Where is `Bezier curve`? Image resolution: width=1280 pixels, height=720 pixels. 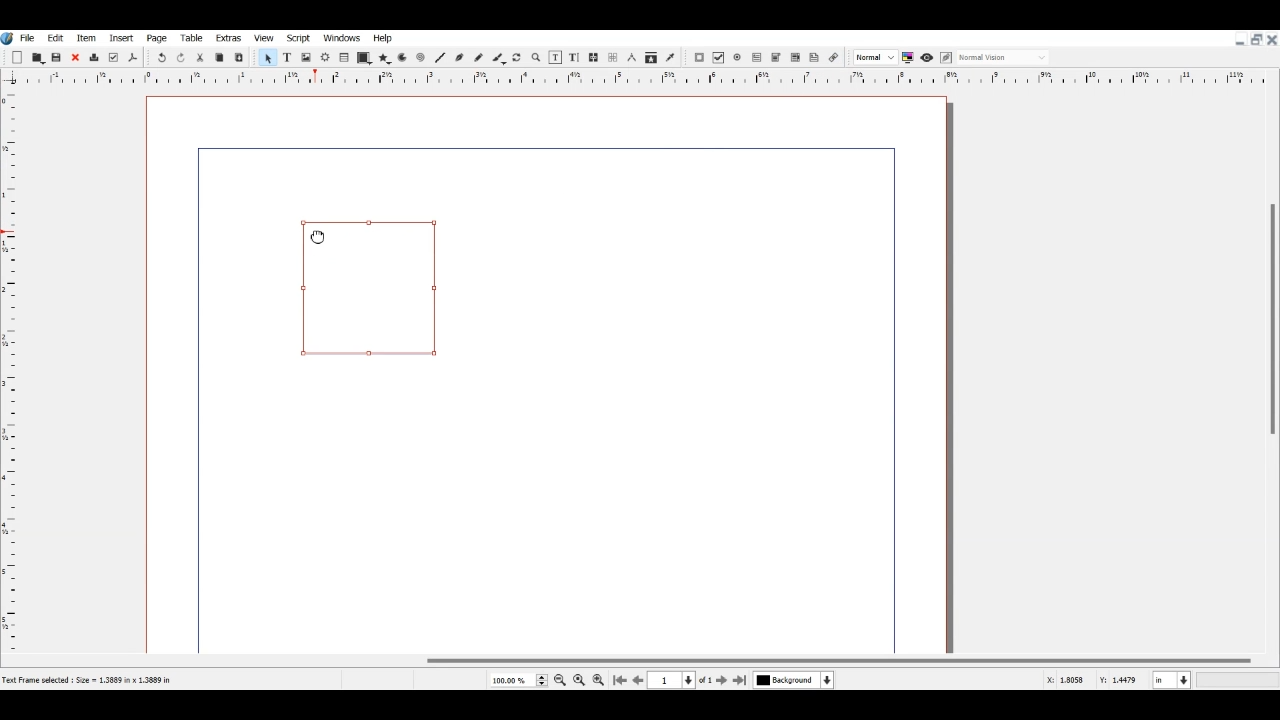
Bezier curve is located at coordinates (459, 57).